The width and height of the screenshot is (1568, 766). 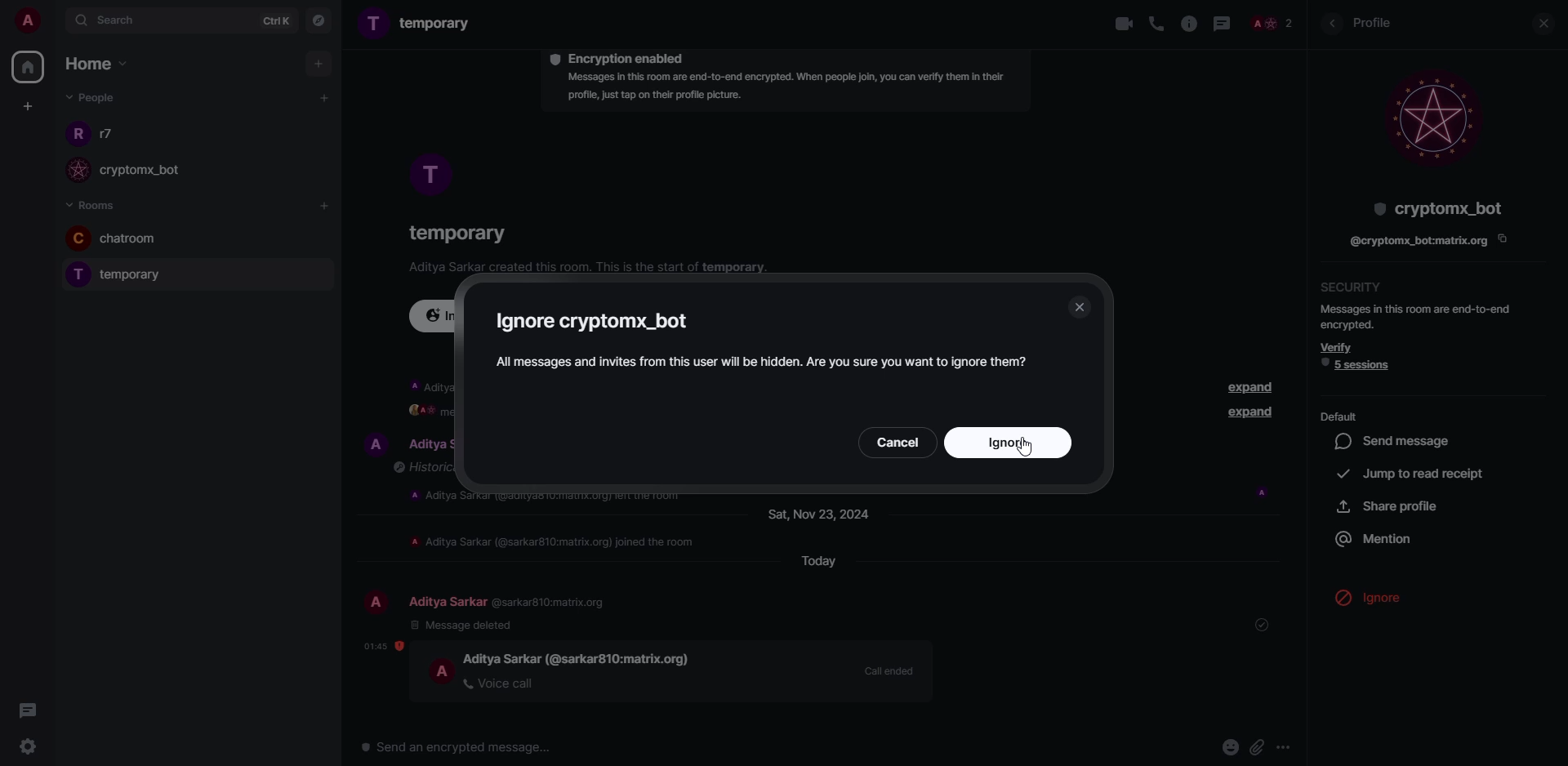 What do you see at coordinates (1159, 24) in the screenshot?
I see `voice call` at bounding box center [1159, 24].